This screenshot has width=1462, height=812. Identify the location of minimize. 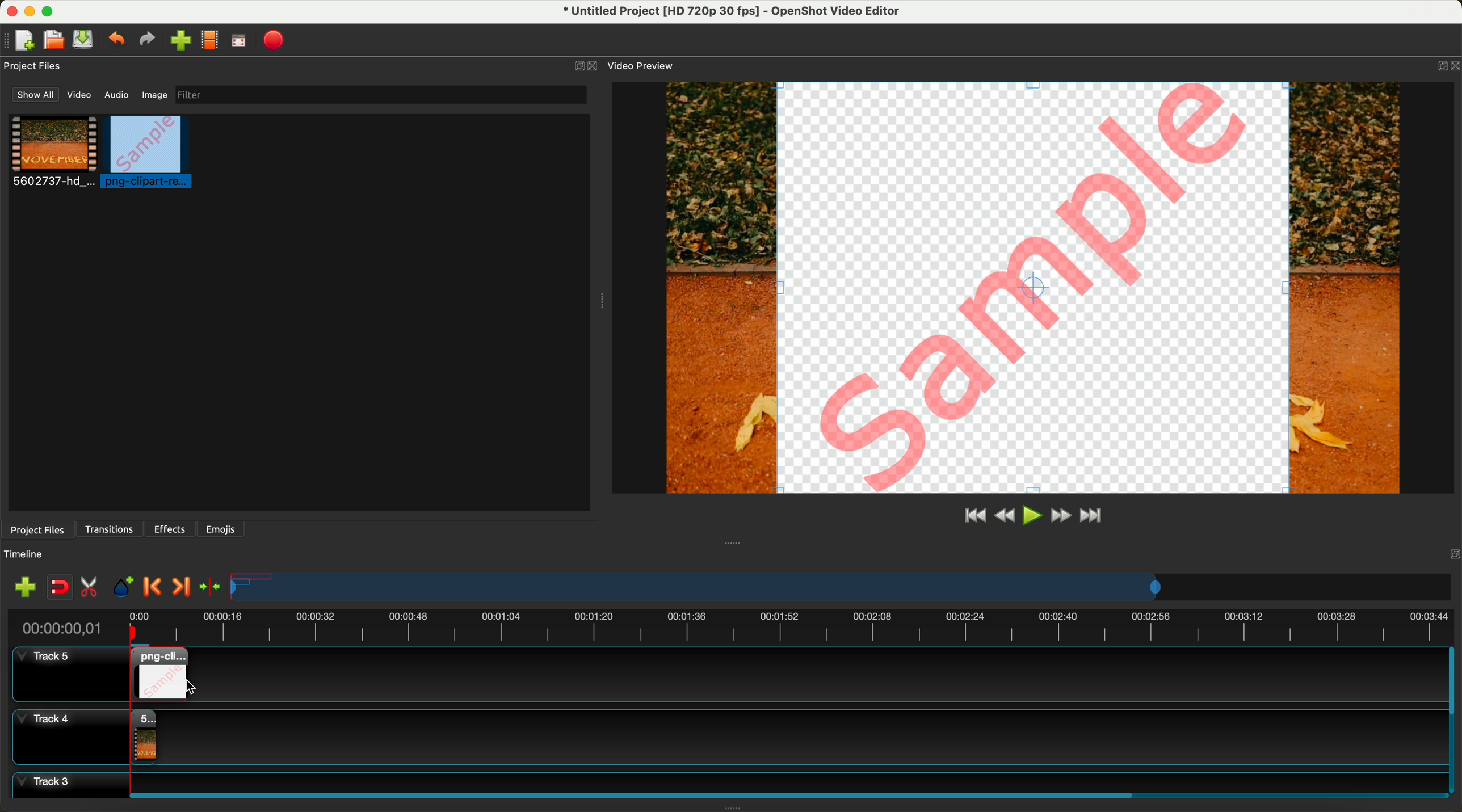
(30, 14).